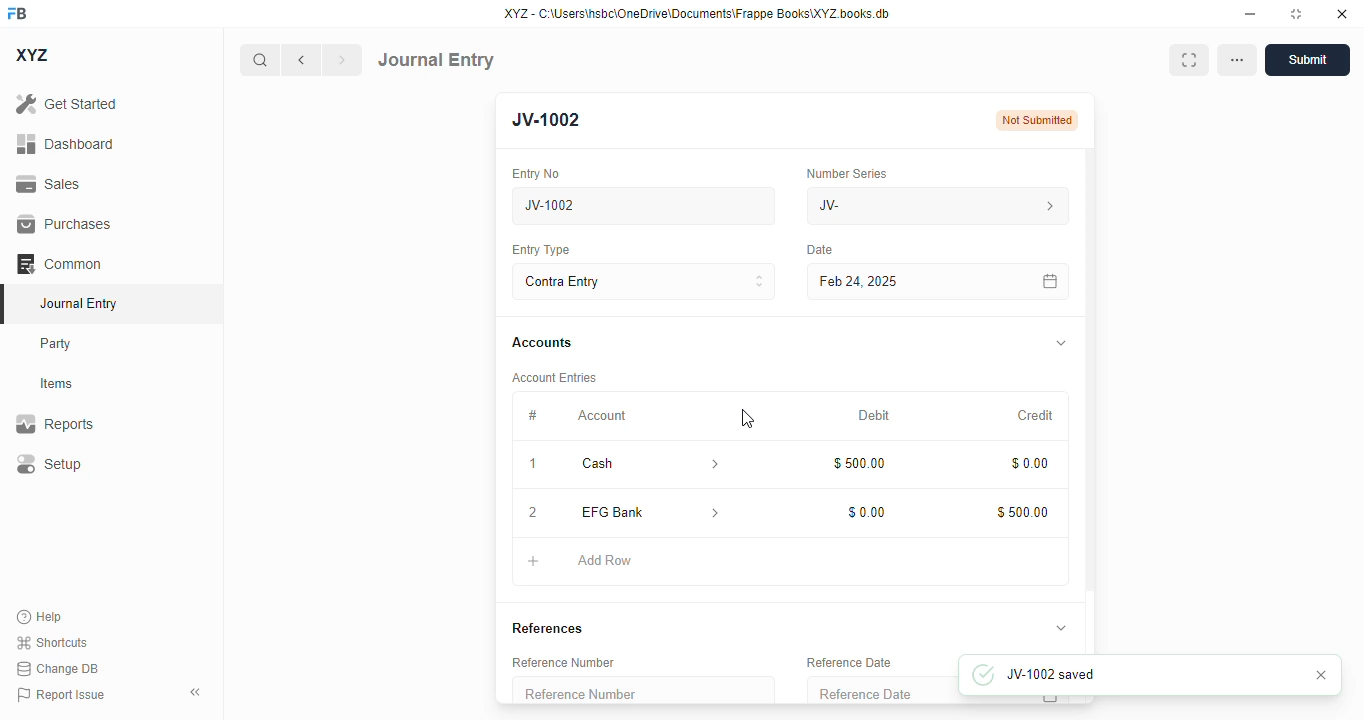  What do you see at coordinates (1189, 59) in the screenshot?
I see `maximise window` at bounding box center [1189, 59].